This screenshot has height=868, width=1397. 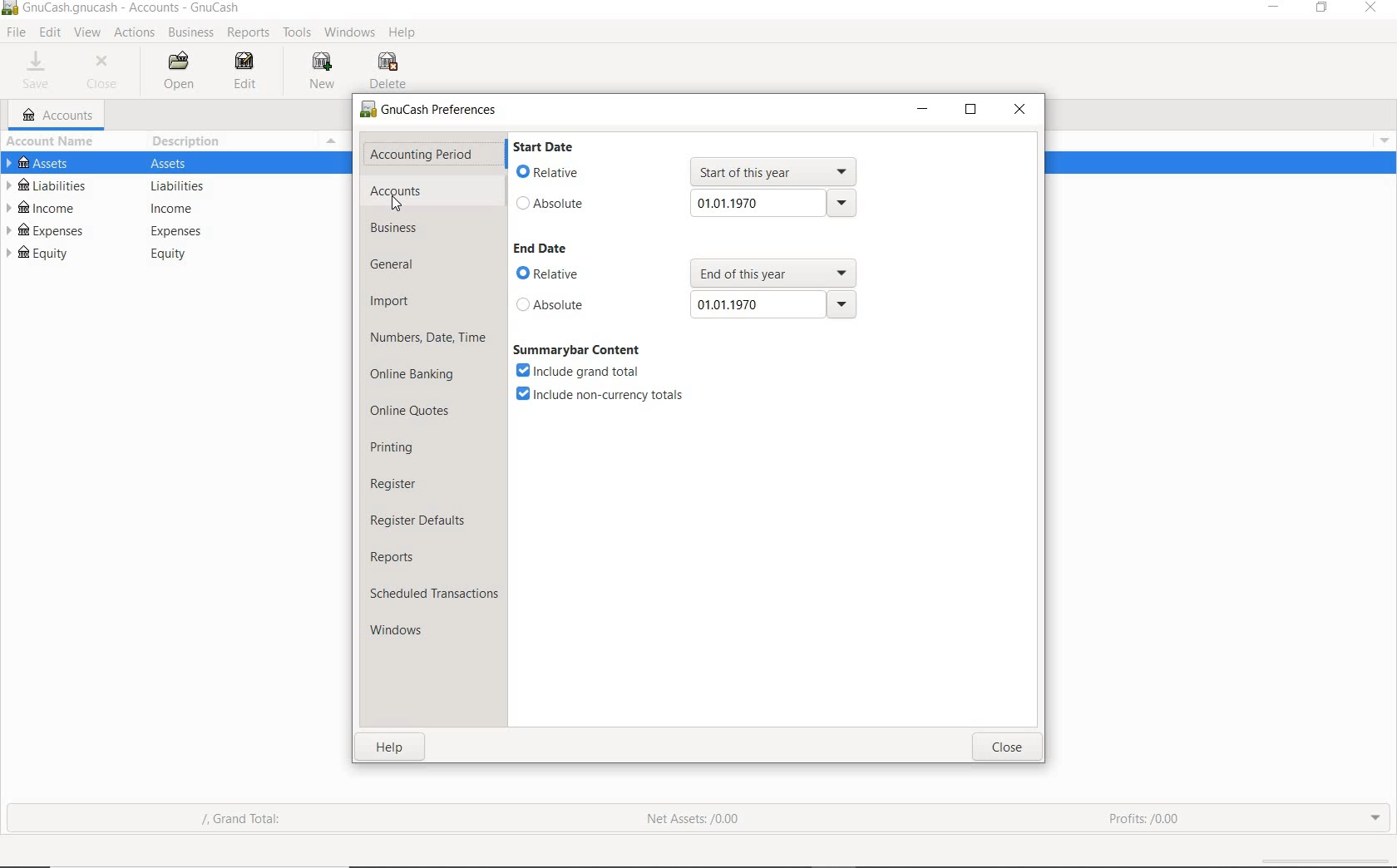 I want to click on minimize, so click(x=923, y=108).